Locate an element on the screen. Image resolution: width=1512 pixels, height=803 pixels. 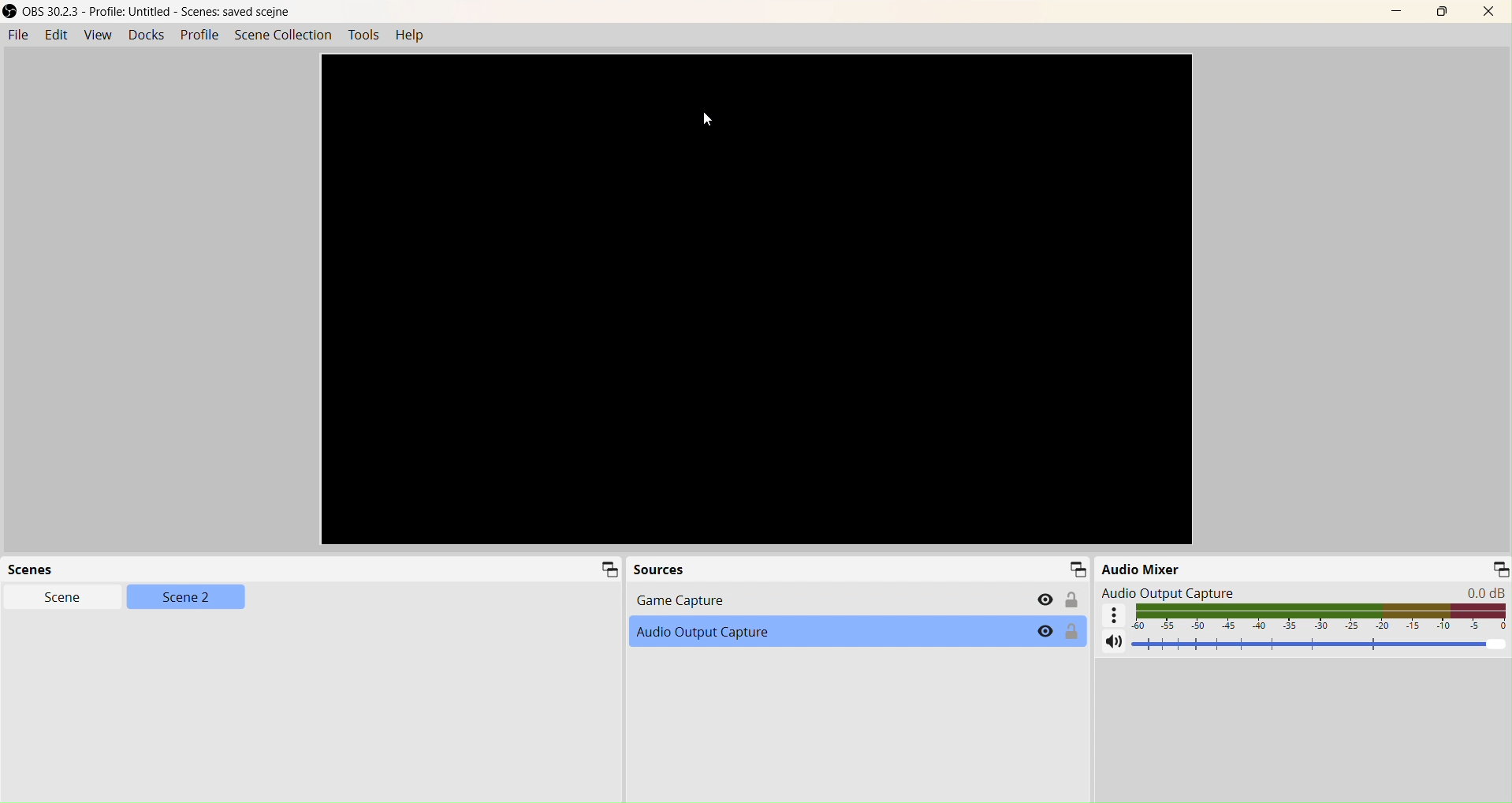
Edit is located at coordinates (58, 36).